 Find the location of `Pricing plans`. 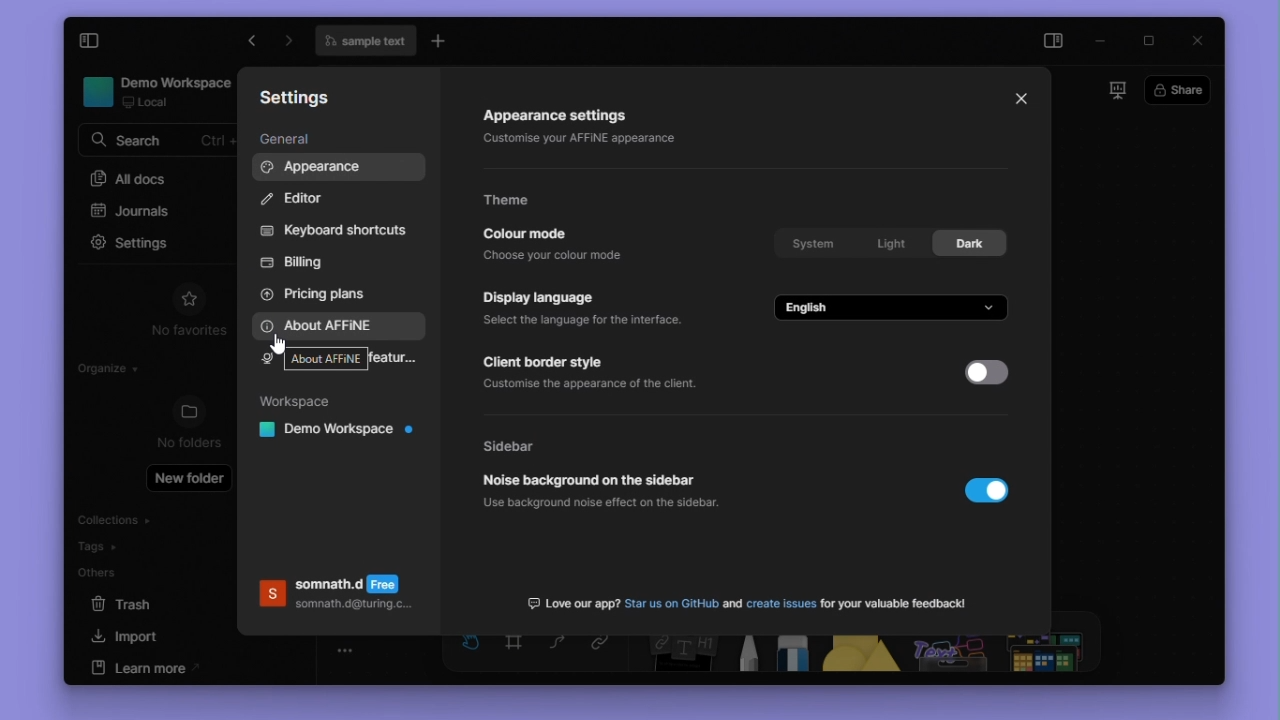

Pricing plans is located at coordinates (319, 293).